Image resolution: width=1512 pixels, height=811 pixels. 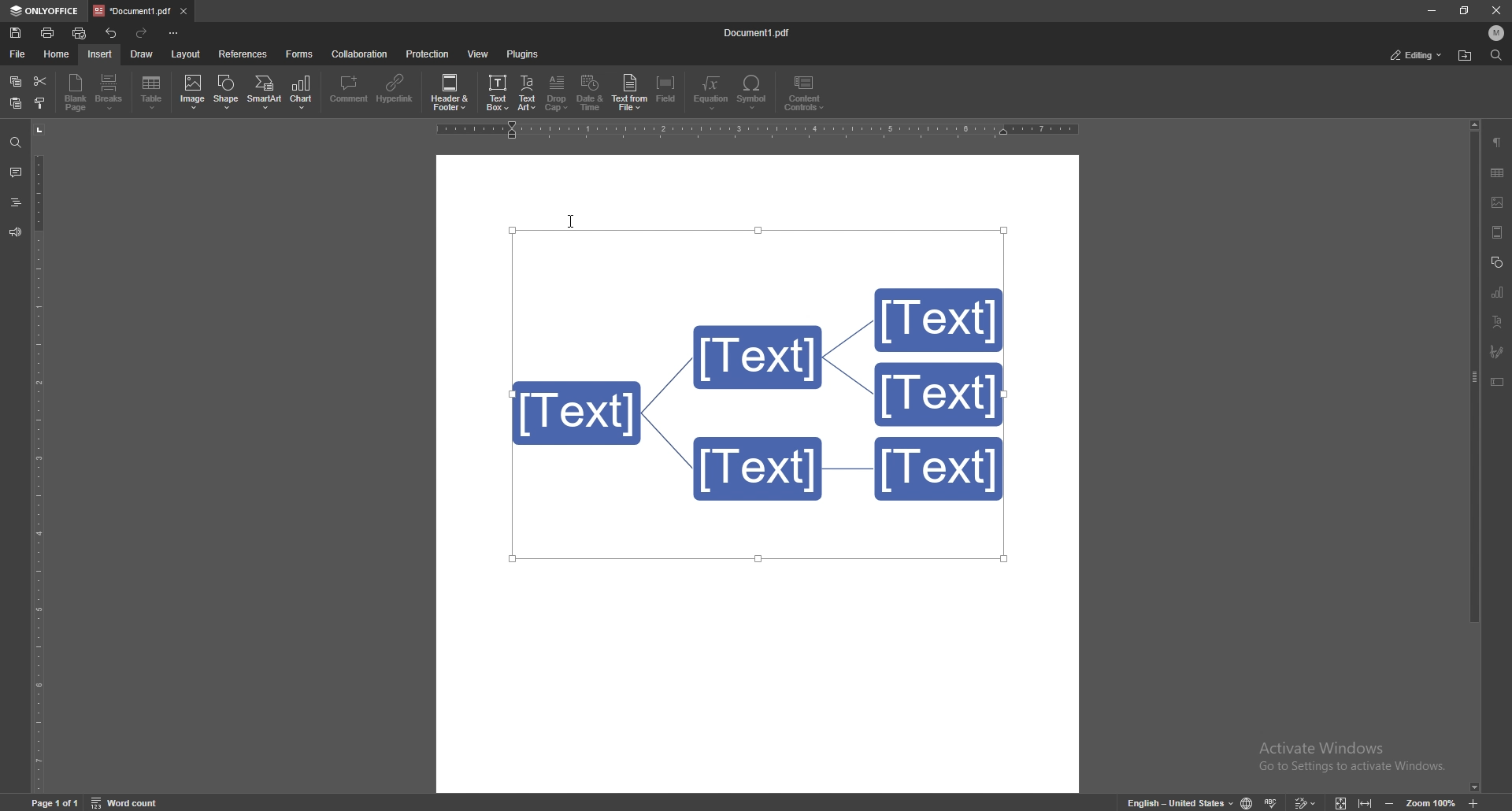 I want to click on close tab, so click(x=185, y=10).